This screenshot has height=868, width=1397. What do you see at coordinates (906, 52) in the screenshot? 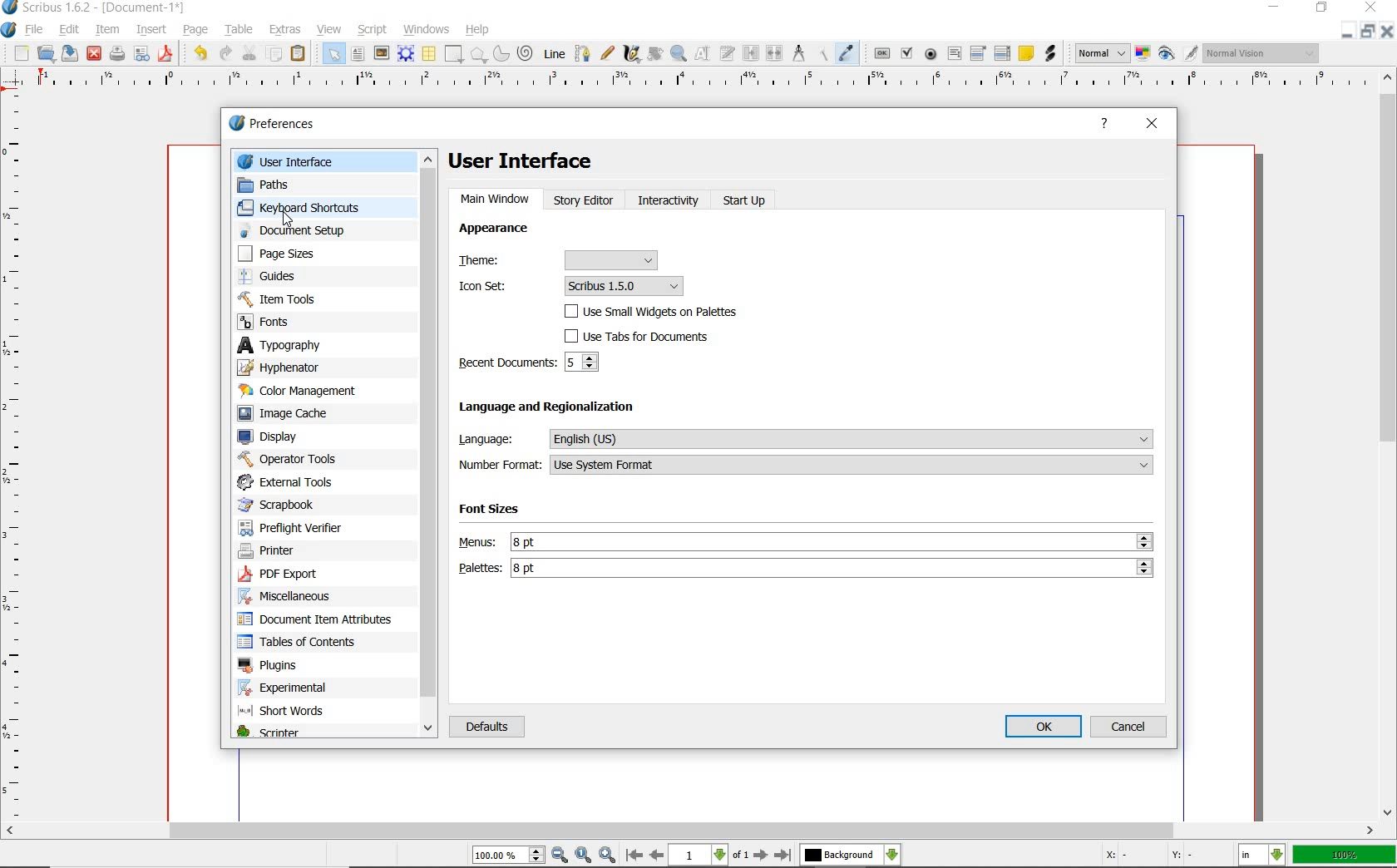
I see `pdf check box` at bounding box center [906, 52].